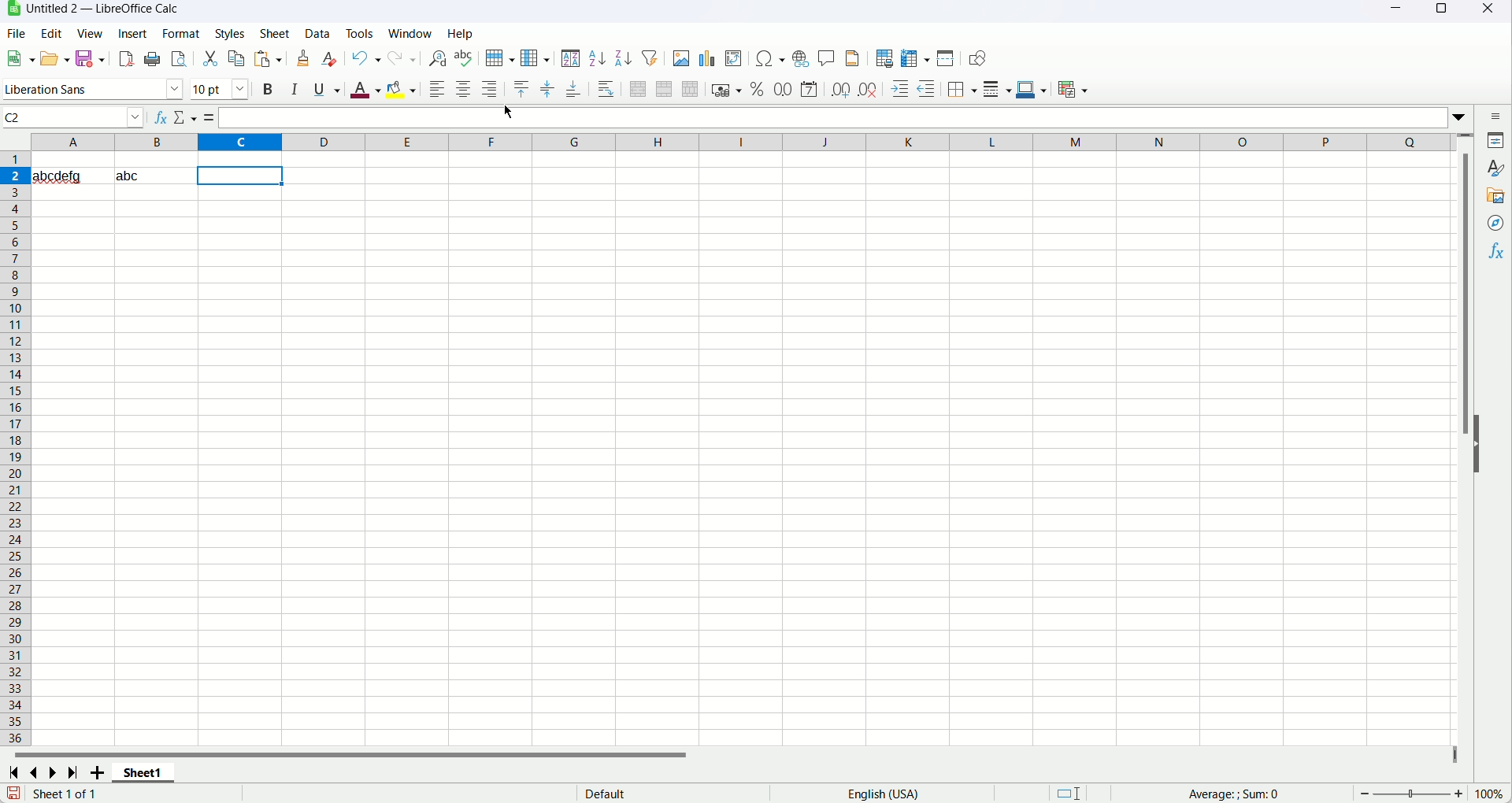 Image resolution: width=1512 pixels, height=803 pixels. What do you see at coordinates (522, 90) in the screenshot?
I see `align top` at bounding box center [522, 90].